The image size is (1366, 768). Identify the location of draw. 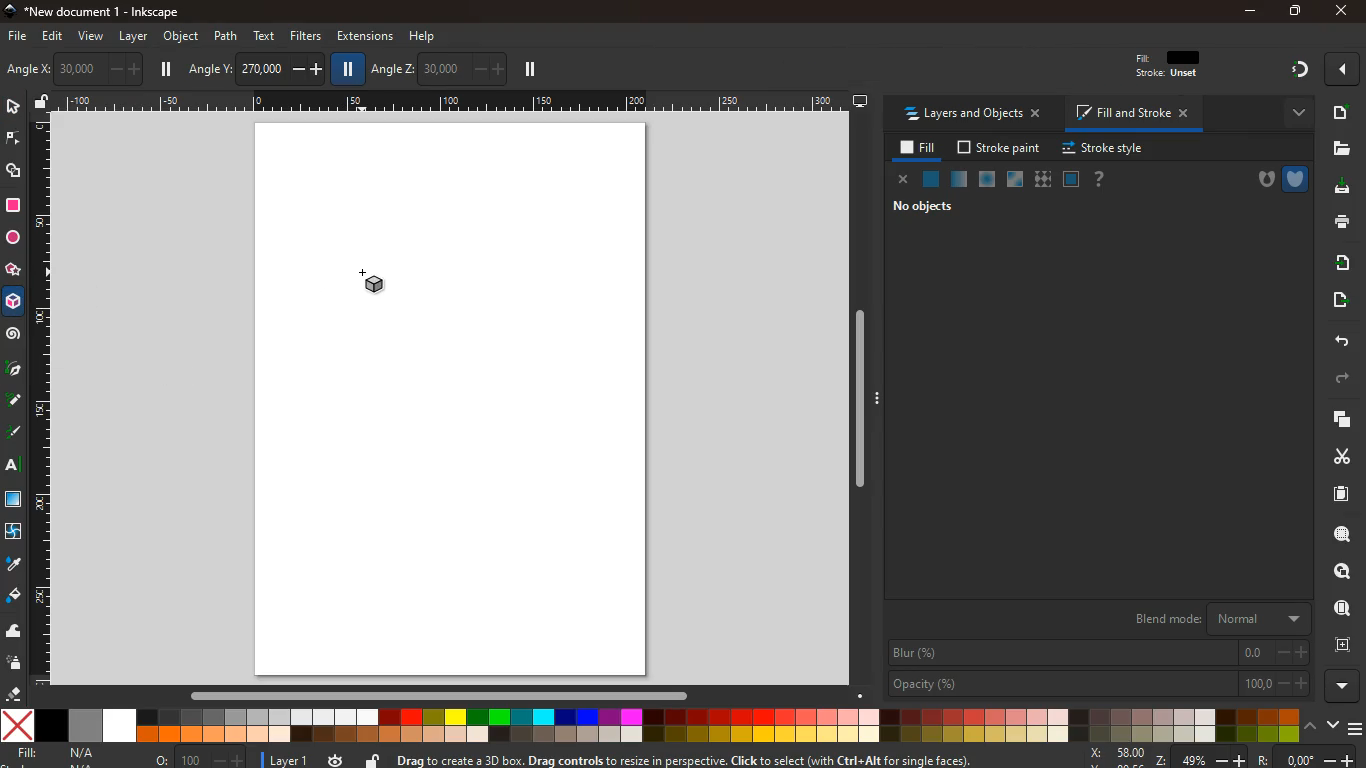
(13, 404).